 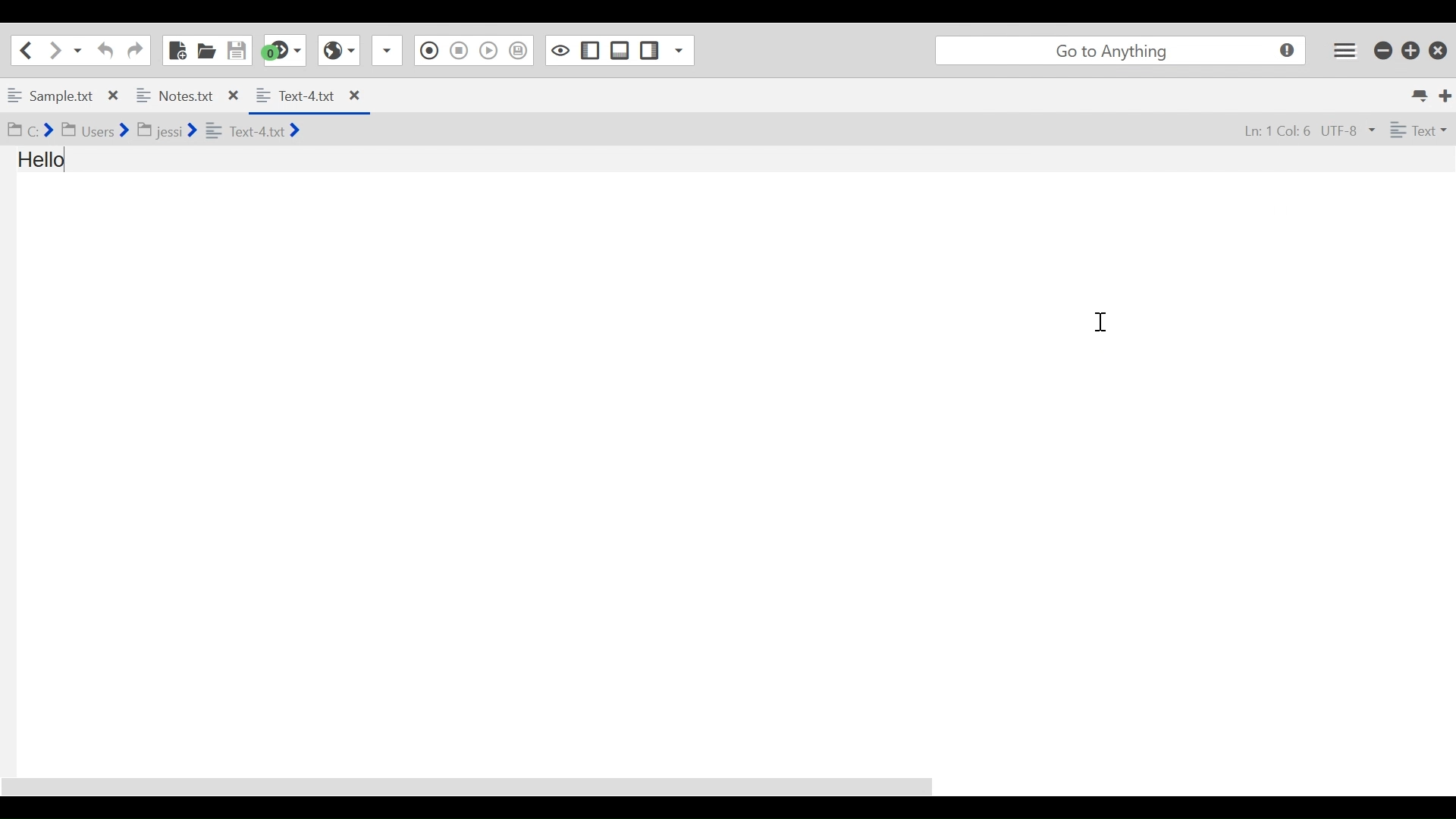 I want to click on New File, so click(x=178, y=50).